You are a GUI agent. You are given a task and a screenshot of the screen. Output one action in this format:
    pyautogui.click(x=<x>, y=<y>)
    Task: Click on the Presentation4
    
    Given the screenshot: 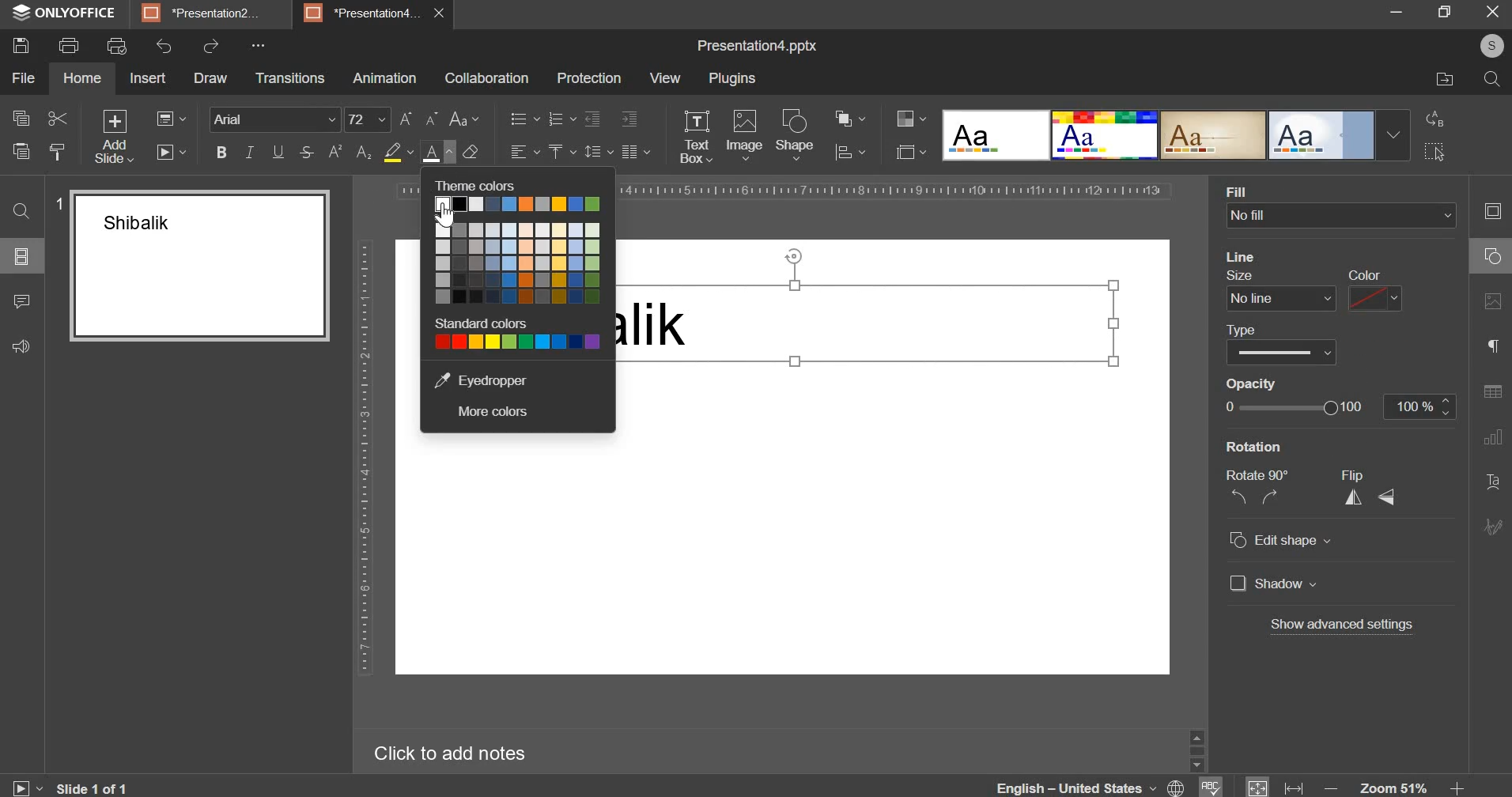 What is the action you would take?
    pyautogui.click(x=365, y=11)
    